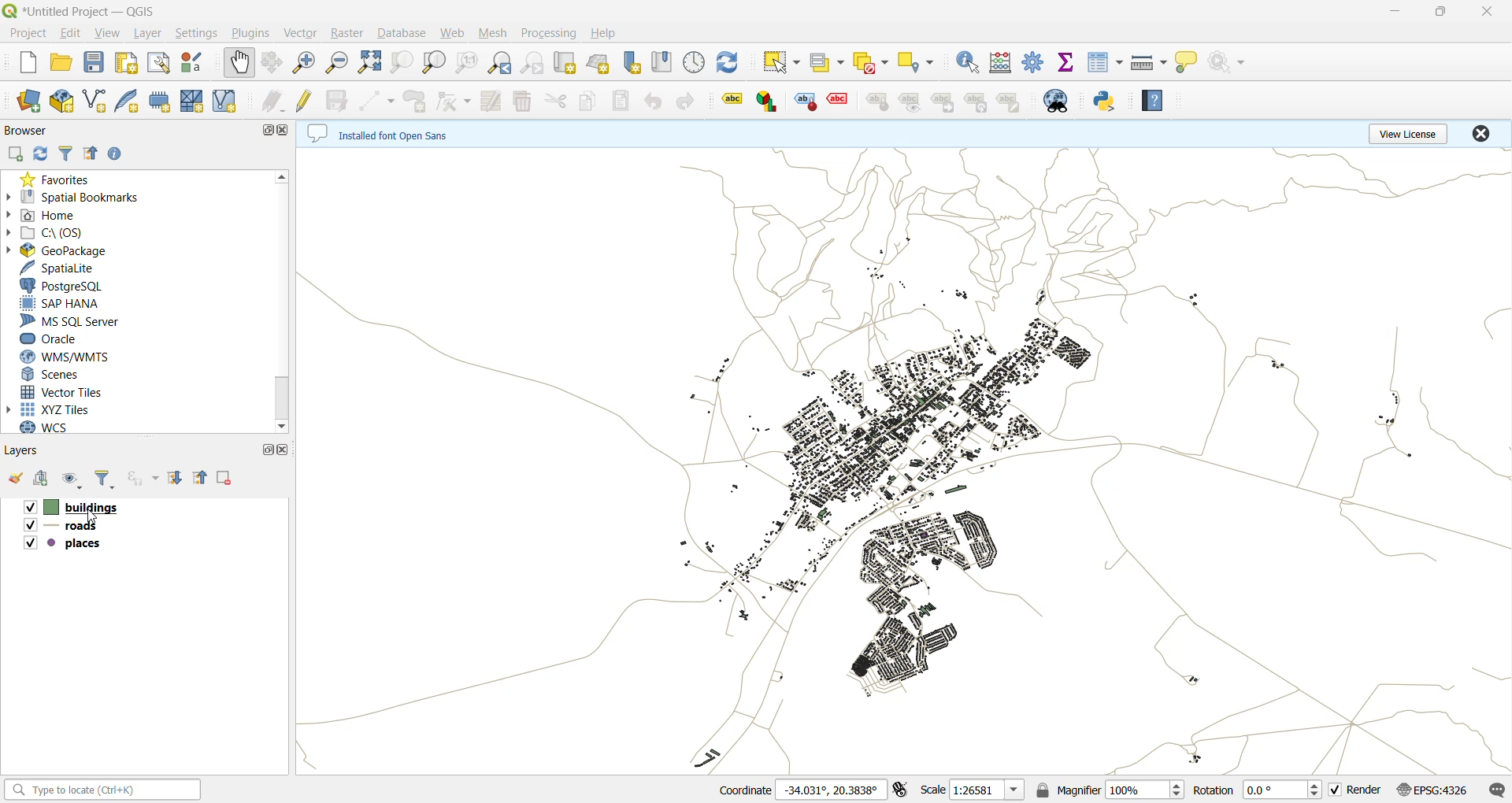  Describe the element at coordinates (1355, 790) in the screenshot. I see `render` at that location.